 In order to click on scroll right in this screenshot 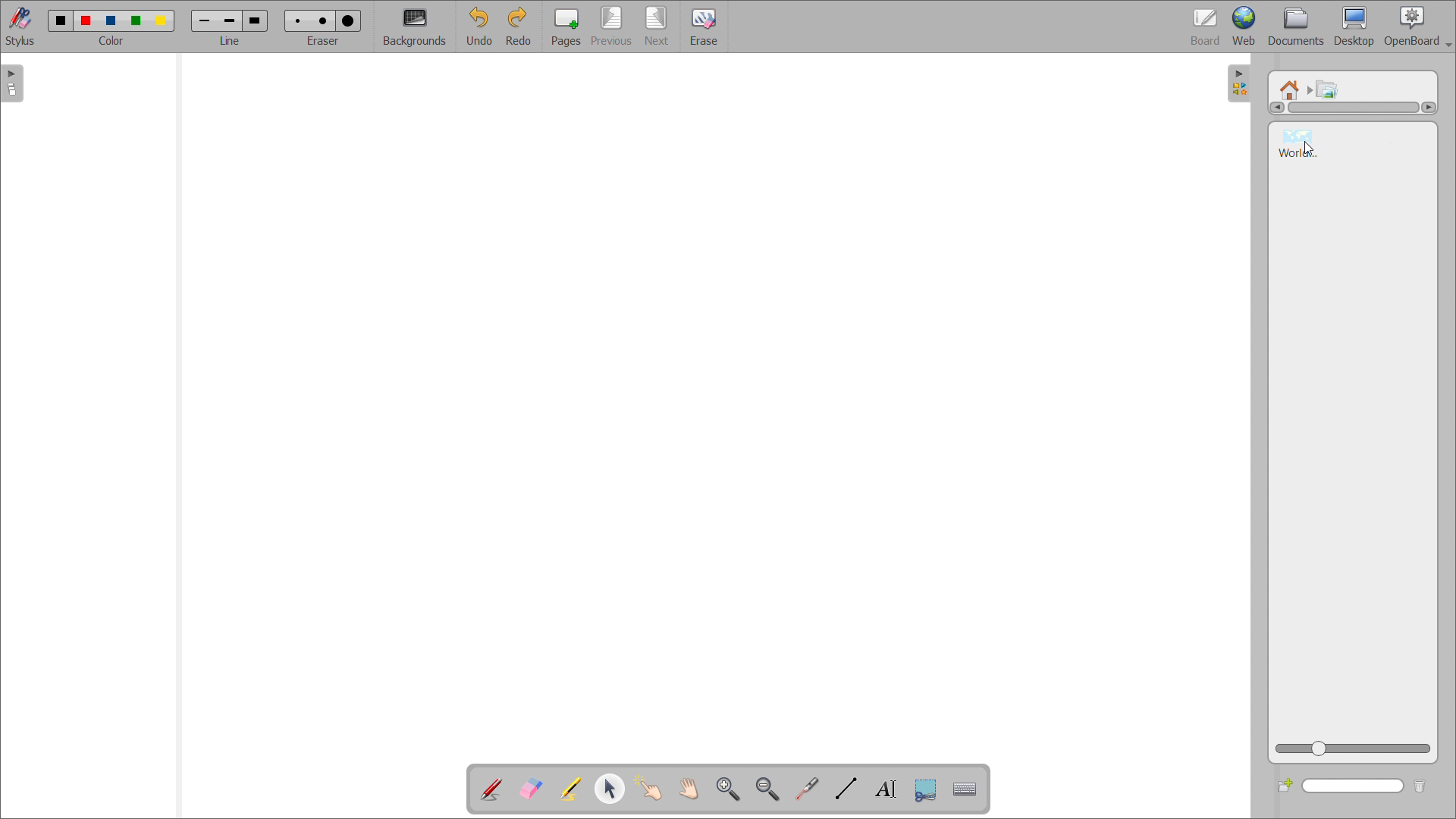, I will do `click(1430, 107)`.